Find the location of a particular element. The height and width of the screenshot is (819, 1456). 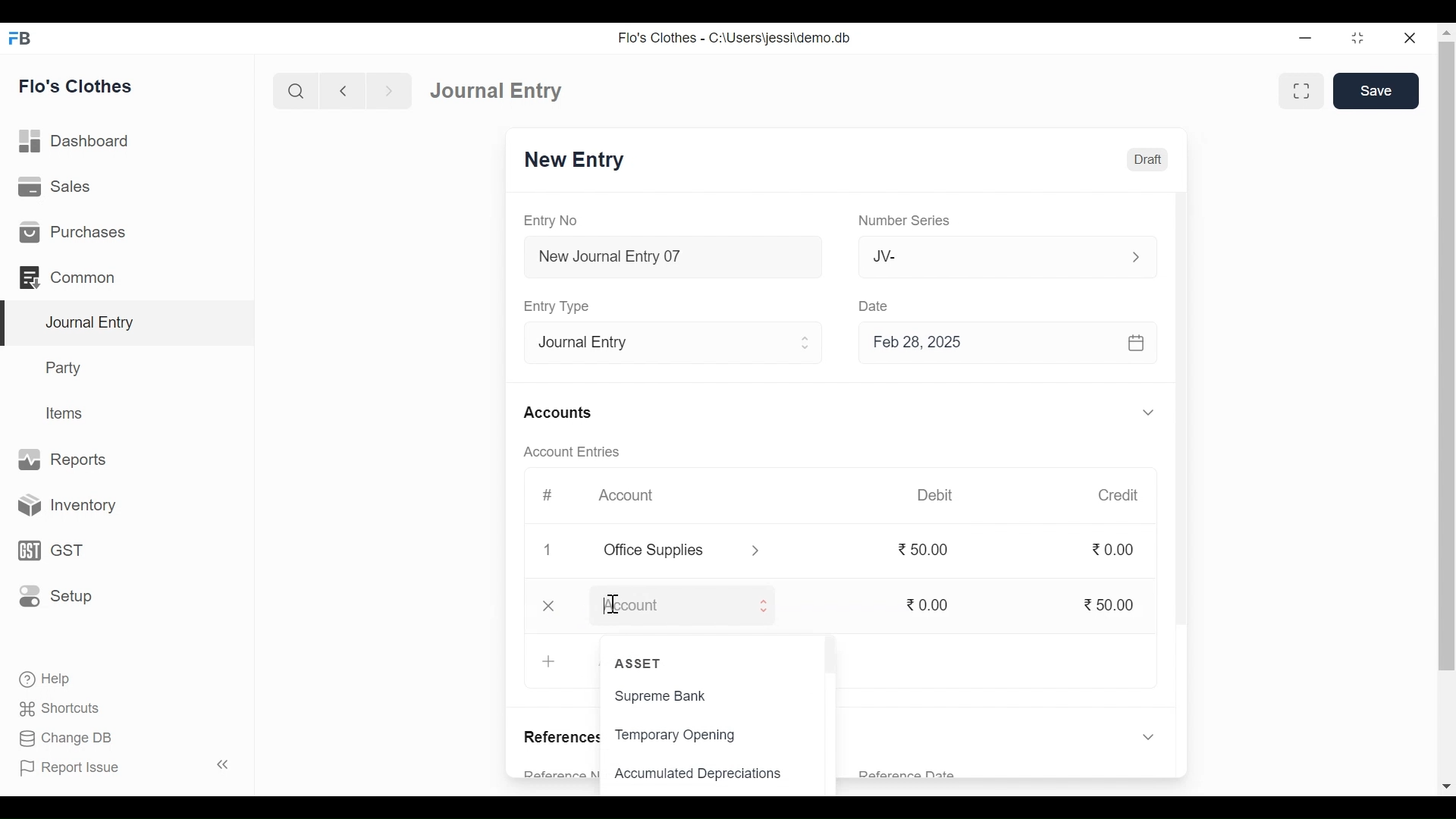

Close  is located at coordinates (547, 605).